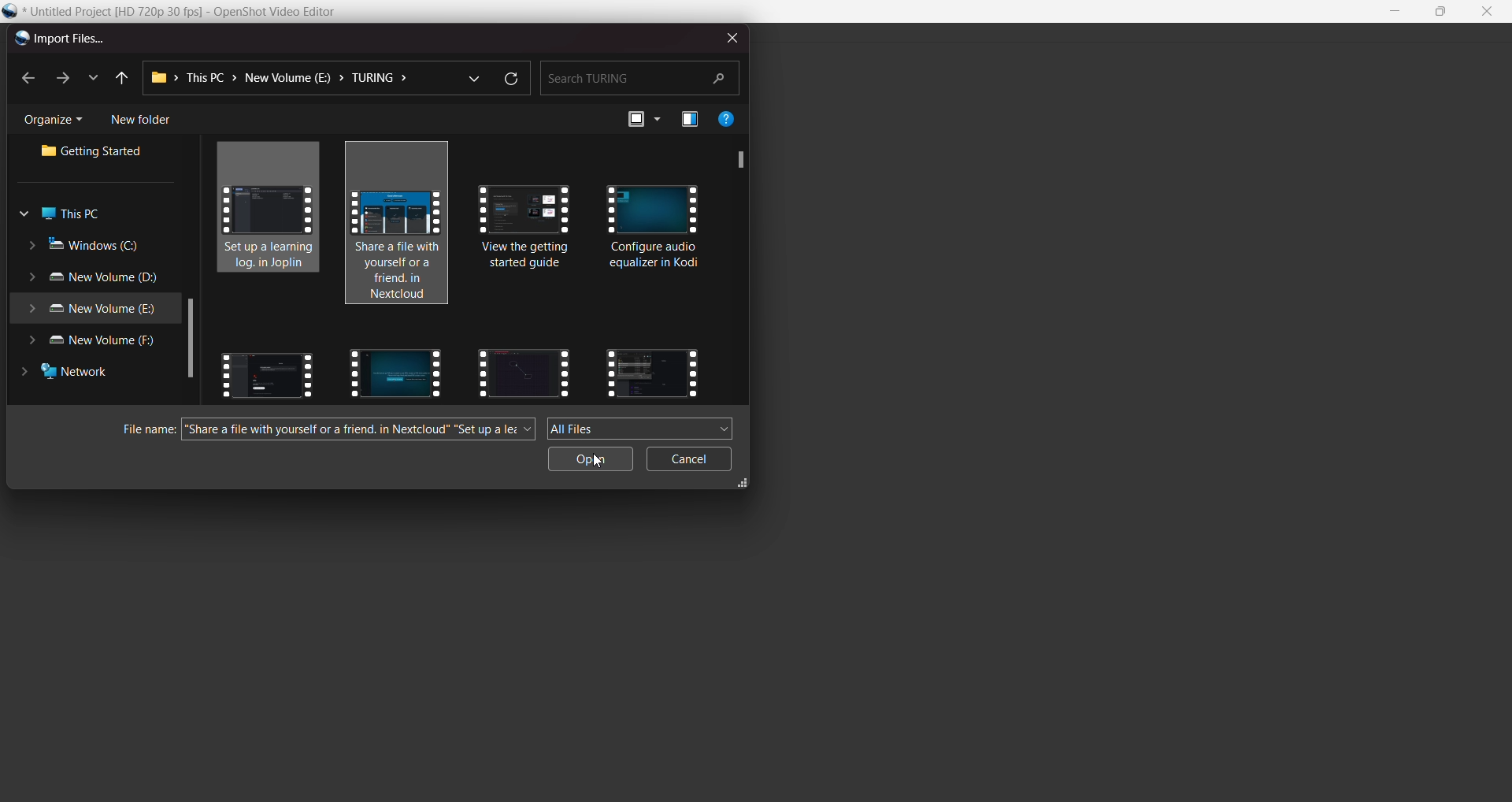 This screenshot has width=1512, height=802. Describe the element at coordinates (1396, 12) in the screenshot. I see `minimise` at that location.